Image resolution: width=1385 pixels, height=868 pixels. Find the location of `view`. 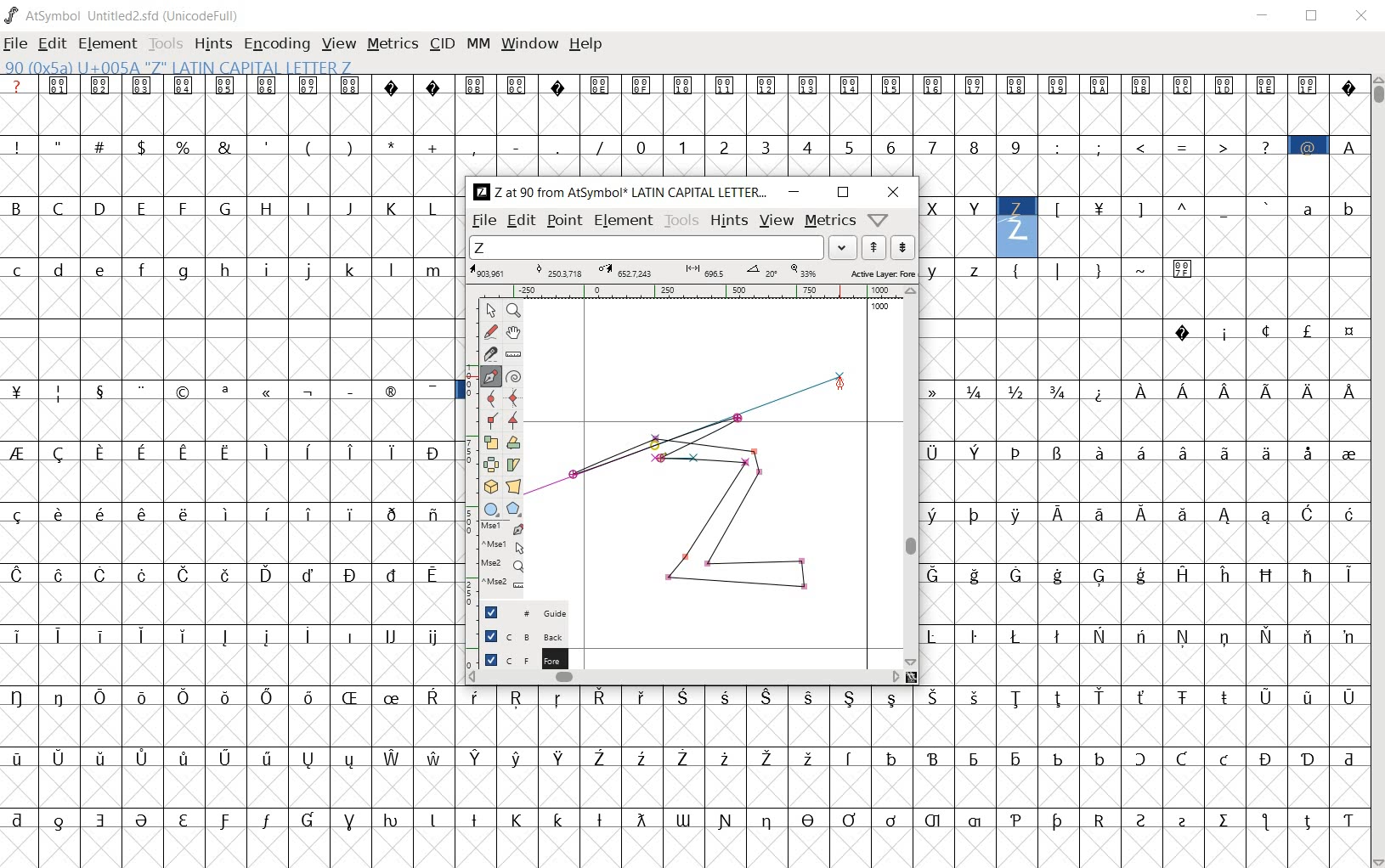

view is located at coordinates (340, 43).